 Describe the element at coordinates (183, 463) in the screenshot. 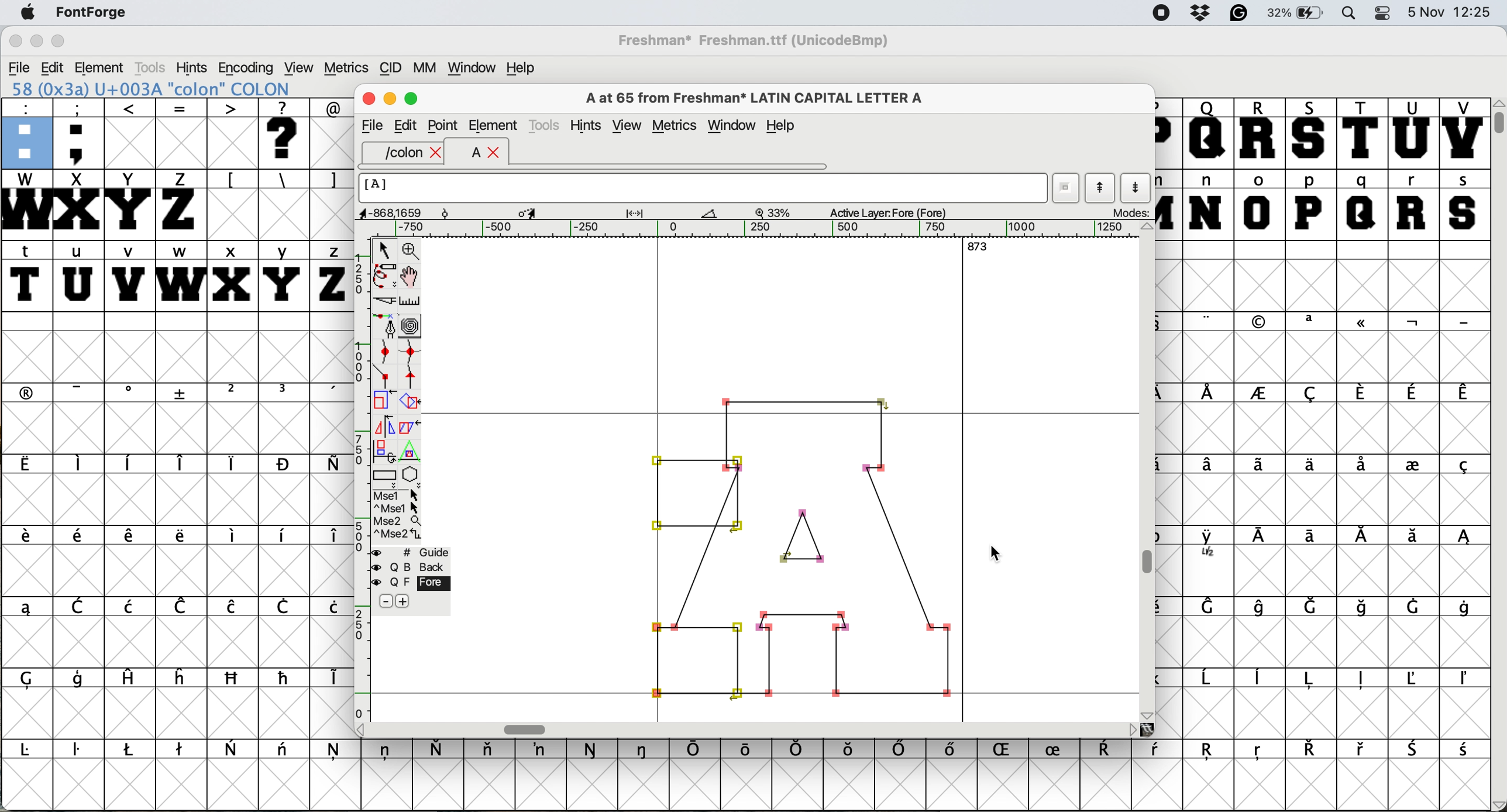

I see `symbol` at that location.